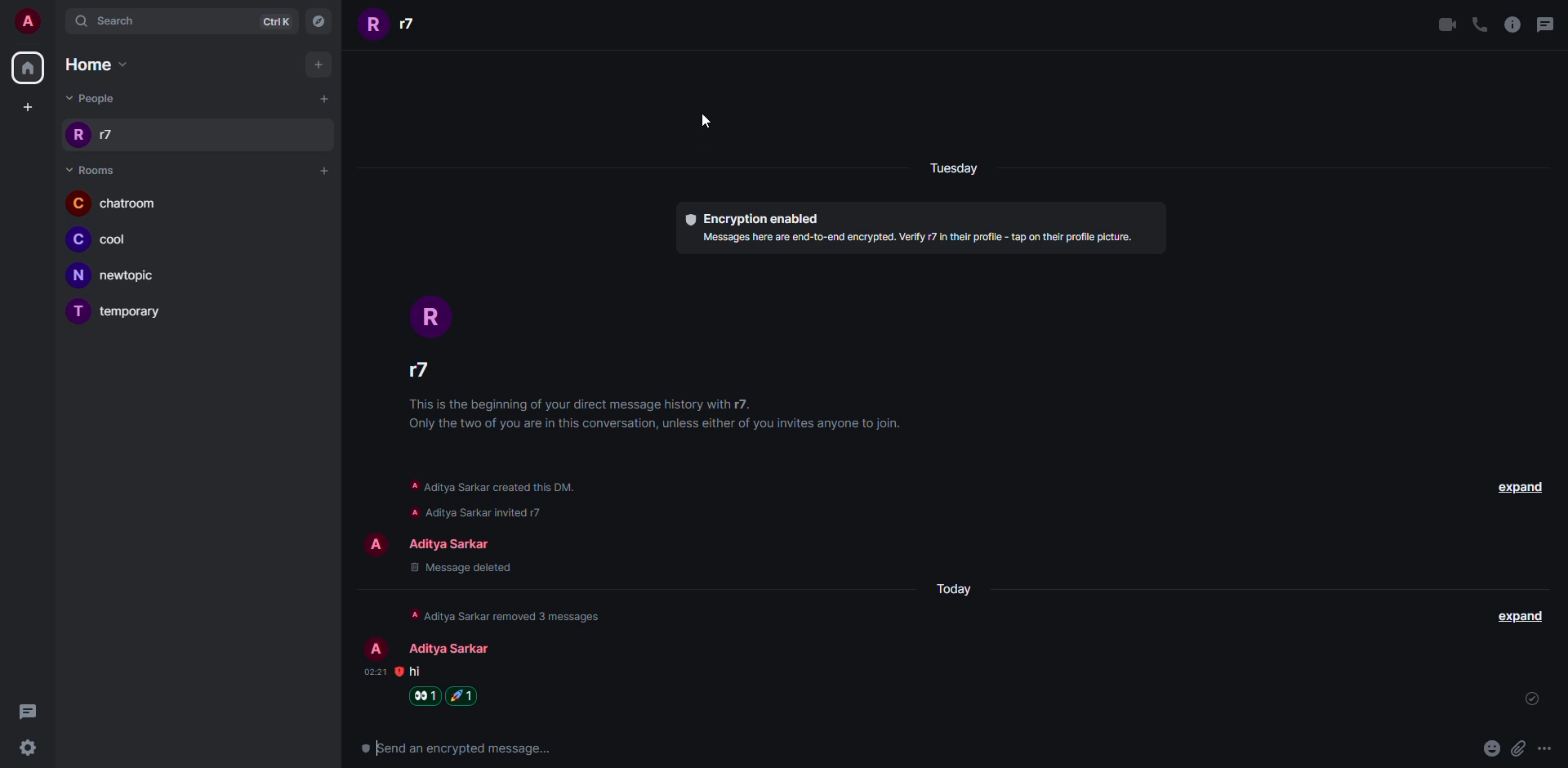 This screenshot has width=1568, height=768. I want to click on account, so click(28, 20).